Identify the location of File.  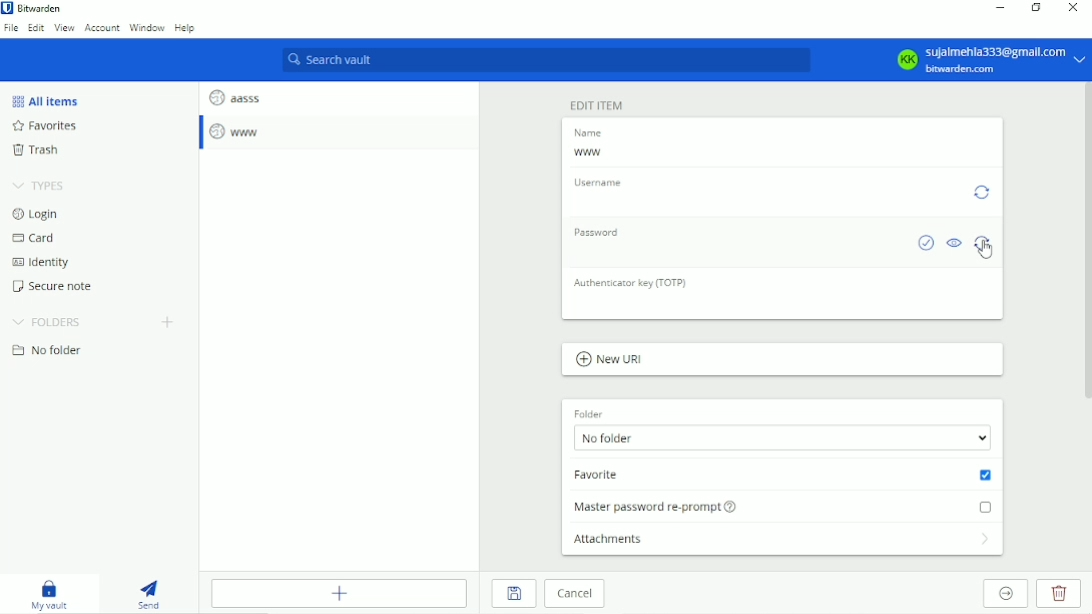
(11, 28).